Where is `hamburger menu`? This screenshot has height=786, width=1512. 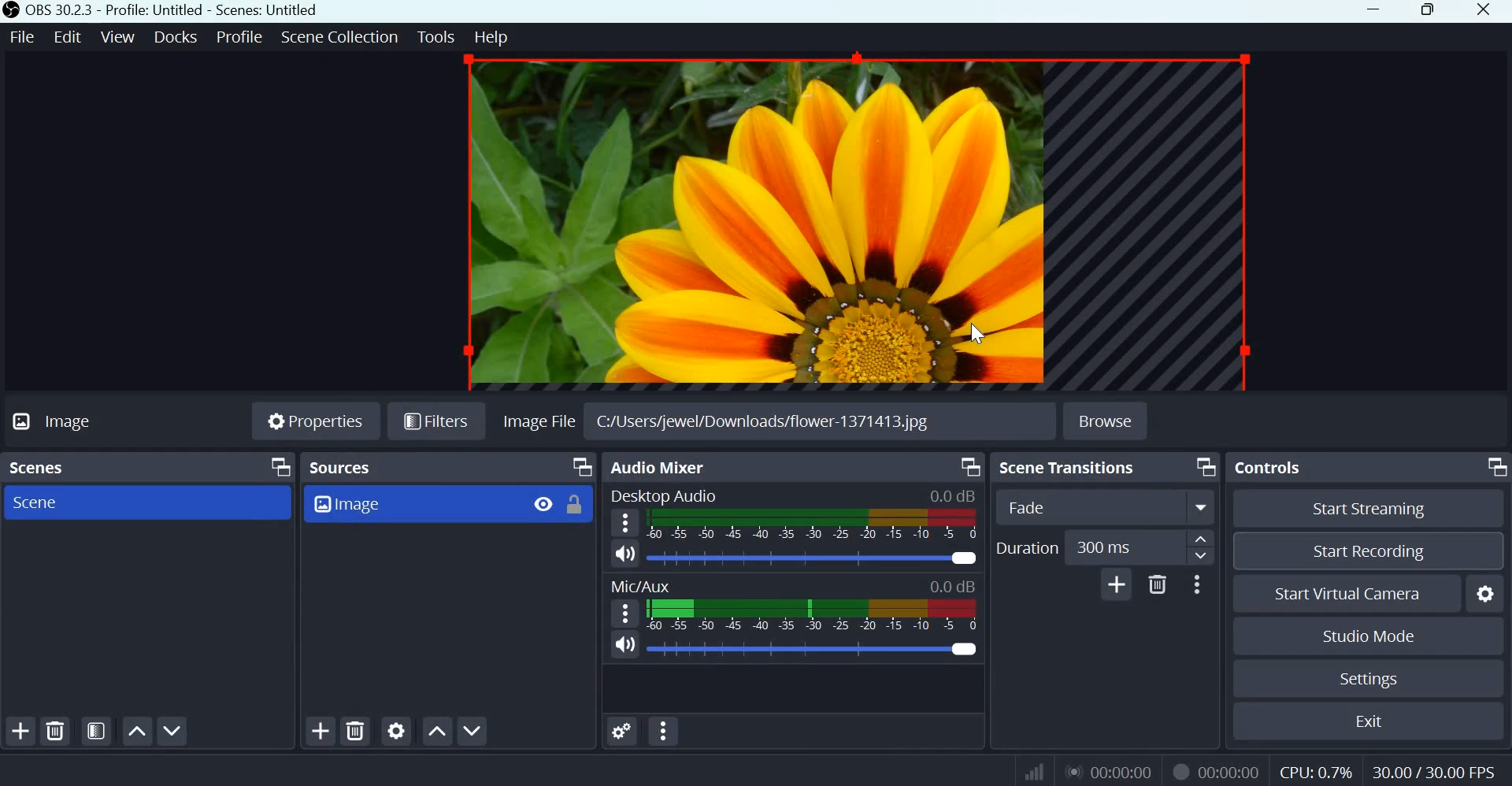 hamburger menu is located at coordinates (626, 614).